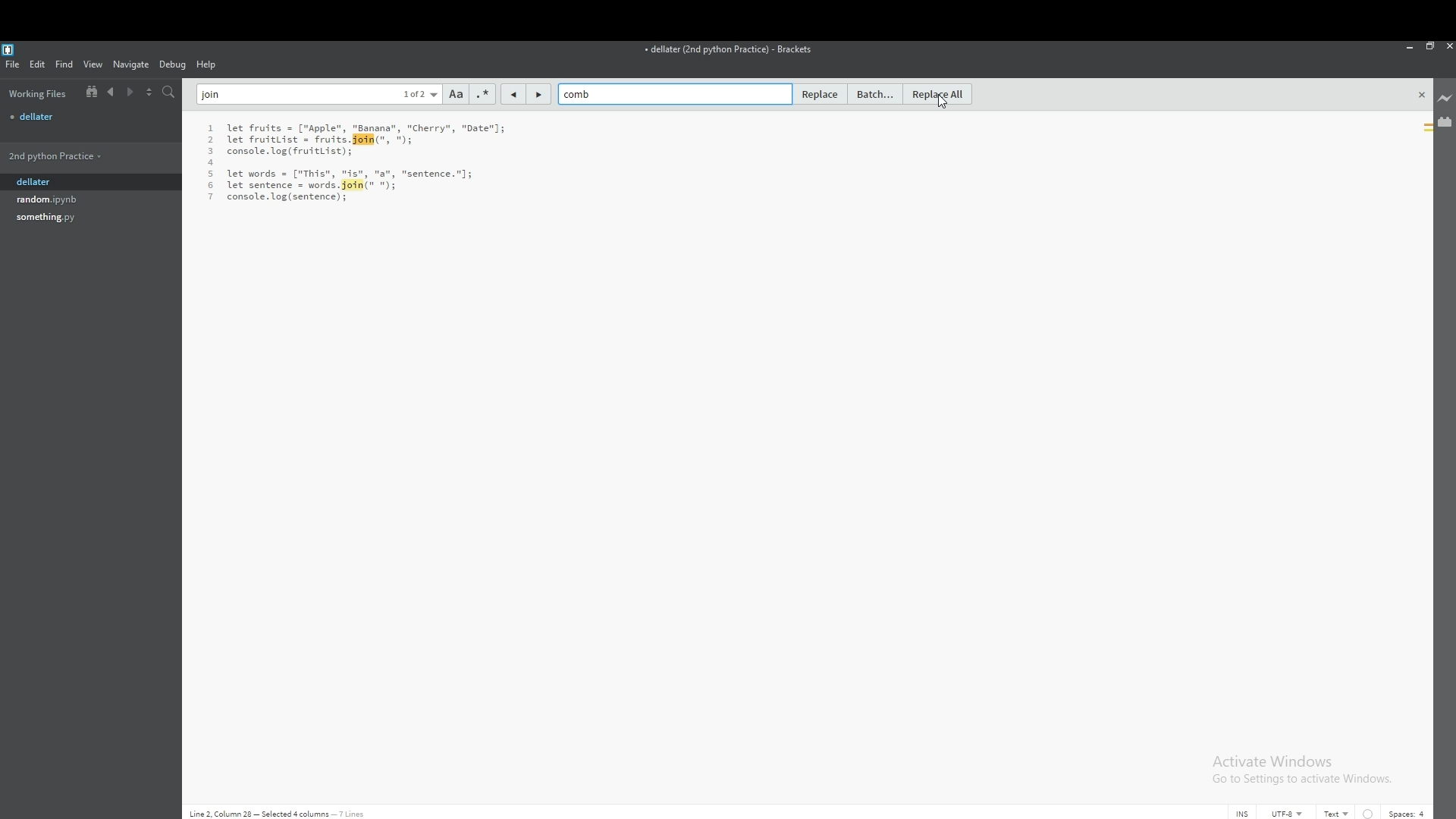 This screenshot has width=1456, height=819. I want to click on indent, so click(1368, 813).